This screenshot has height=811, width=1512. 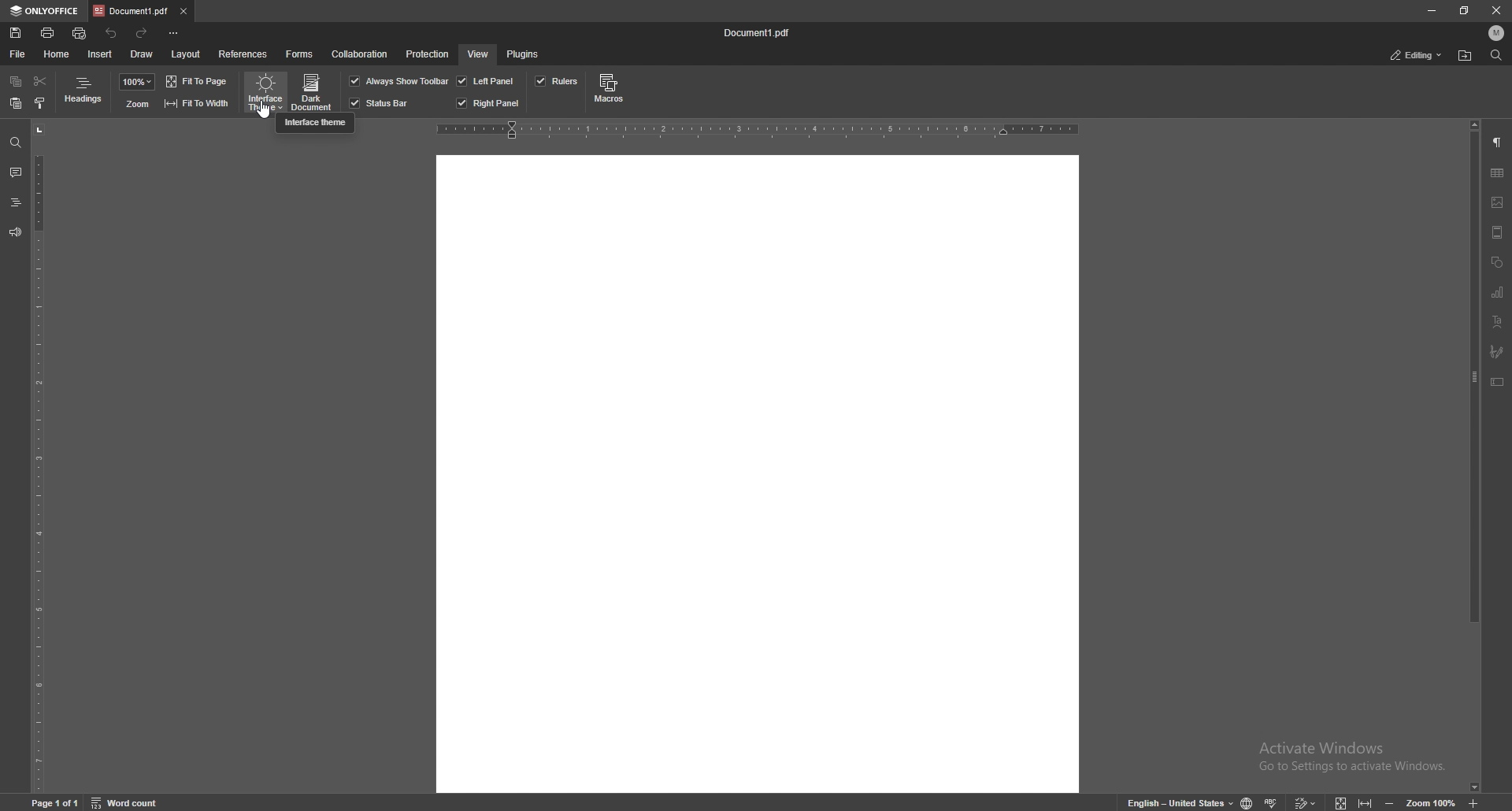 I want to click on scroll bar, so click(x=1474, y=457).